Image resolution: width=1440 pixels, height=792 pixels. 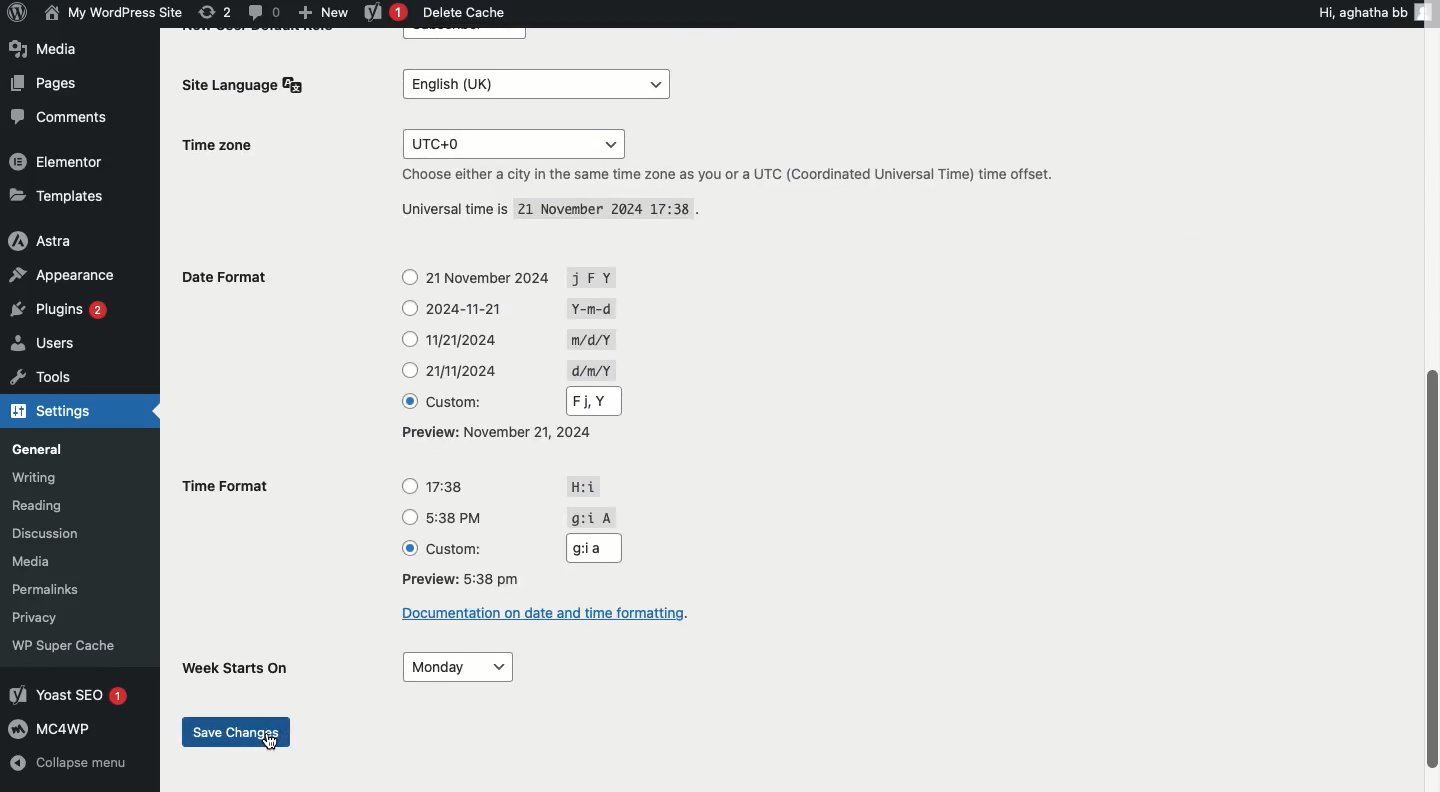 What do you see at coordinates (466, 14) in the screenshot?
I see `Delete cache` at bounding box center [466, 14].